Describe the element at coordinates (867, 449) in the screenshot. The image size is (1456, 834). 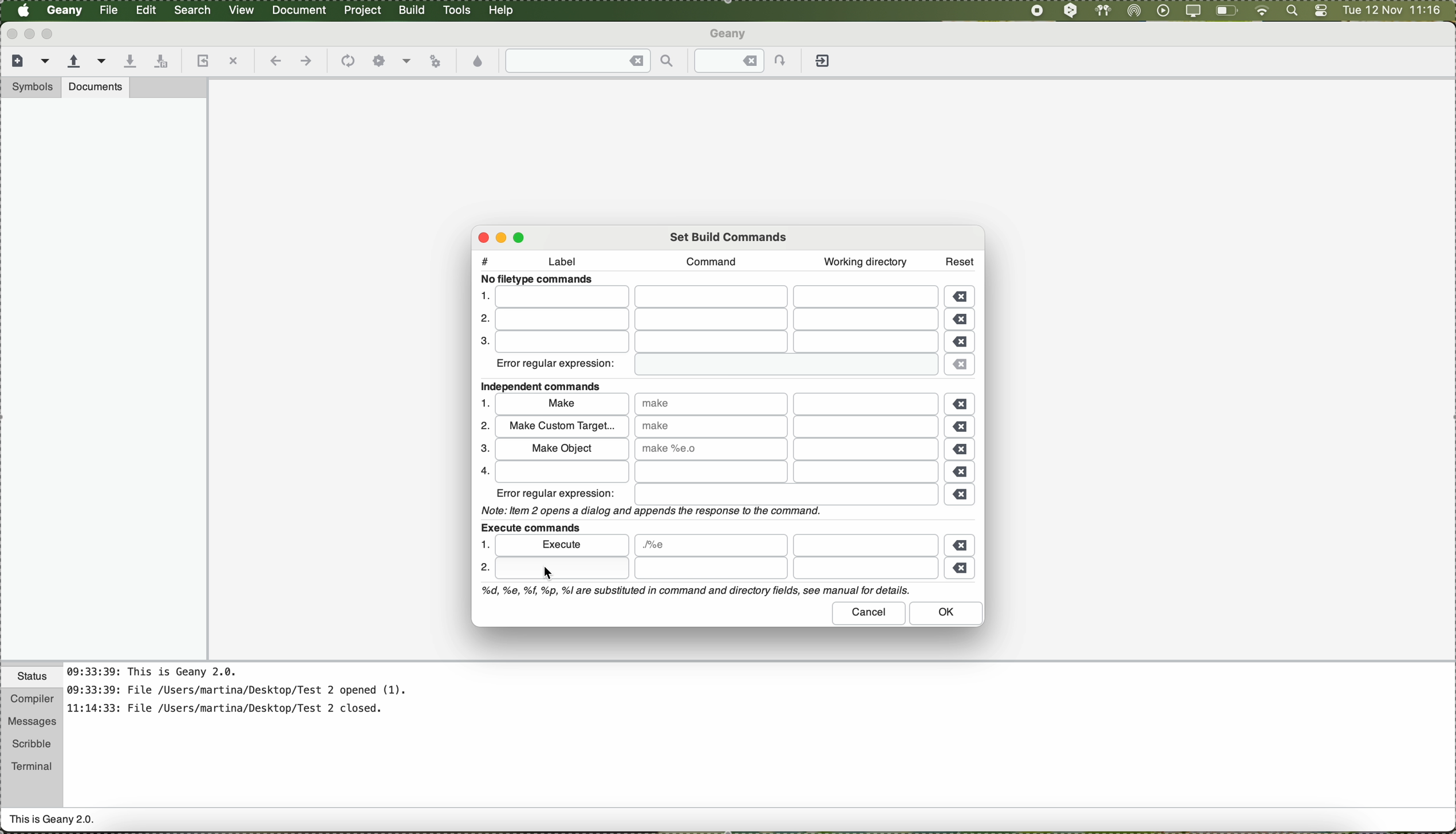
I see `file` at that location.